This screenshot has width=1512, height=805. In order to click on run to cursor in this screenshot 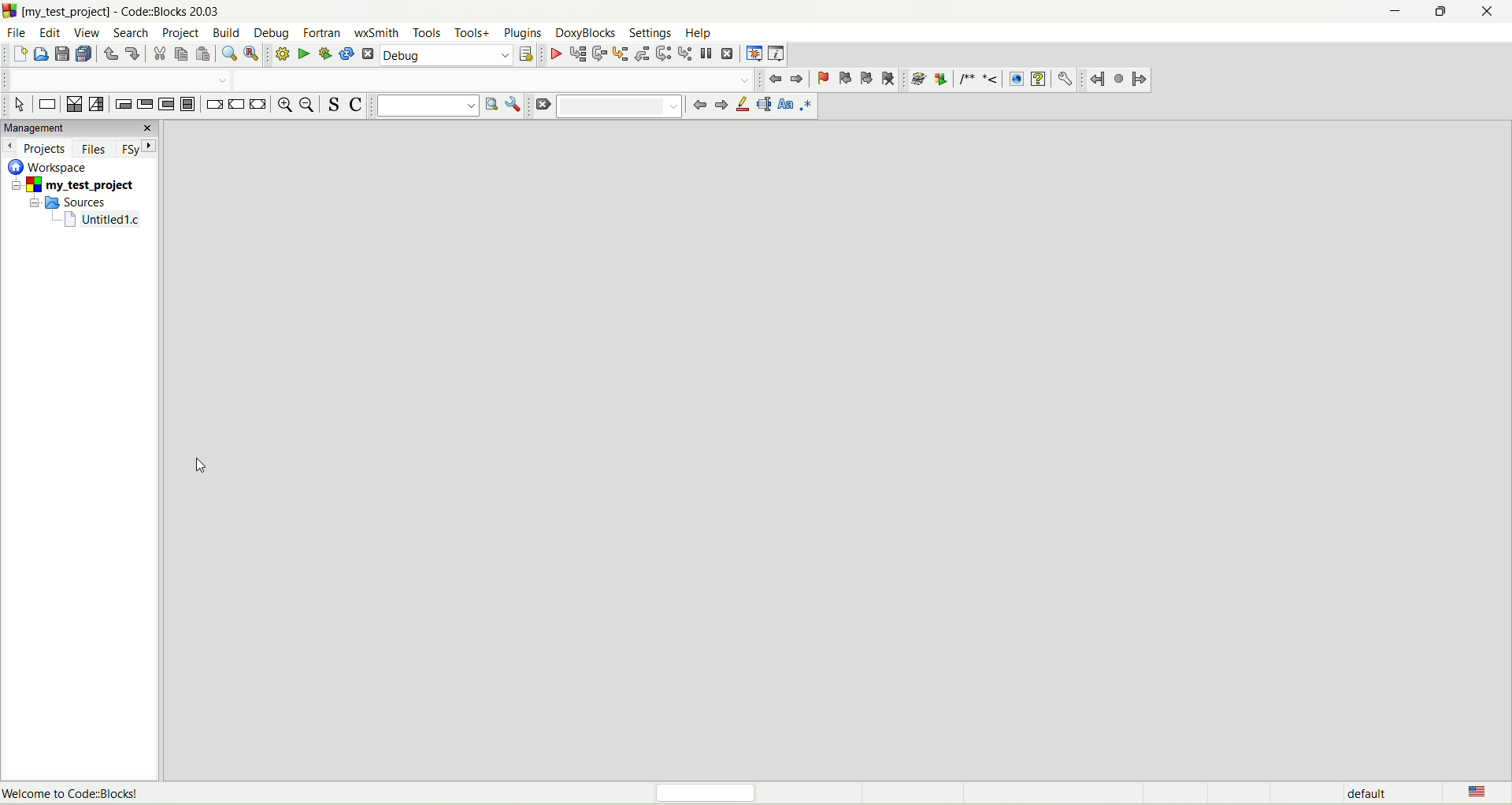, I will do `click(576, 54)`.